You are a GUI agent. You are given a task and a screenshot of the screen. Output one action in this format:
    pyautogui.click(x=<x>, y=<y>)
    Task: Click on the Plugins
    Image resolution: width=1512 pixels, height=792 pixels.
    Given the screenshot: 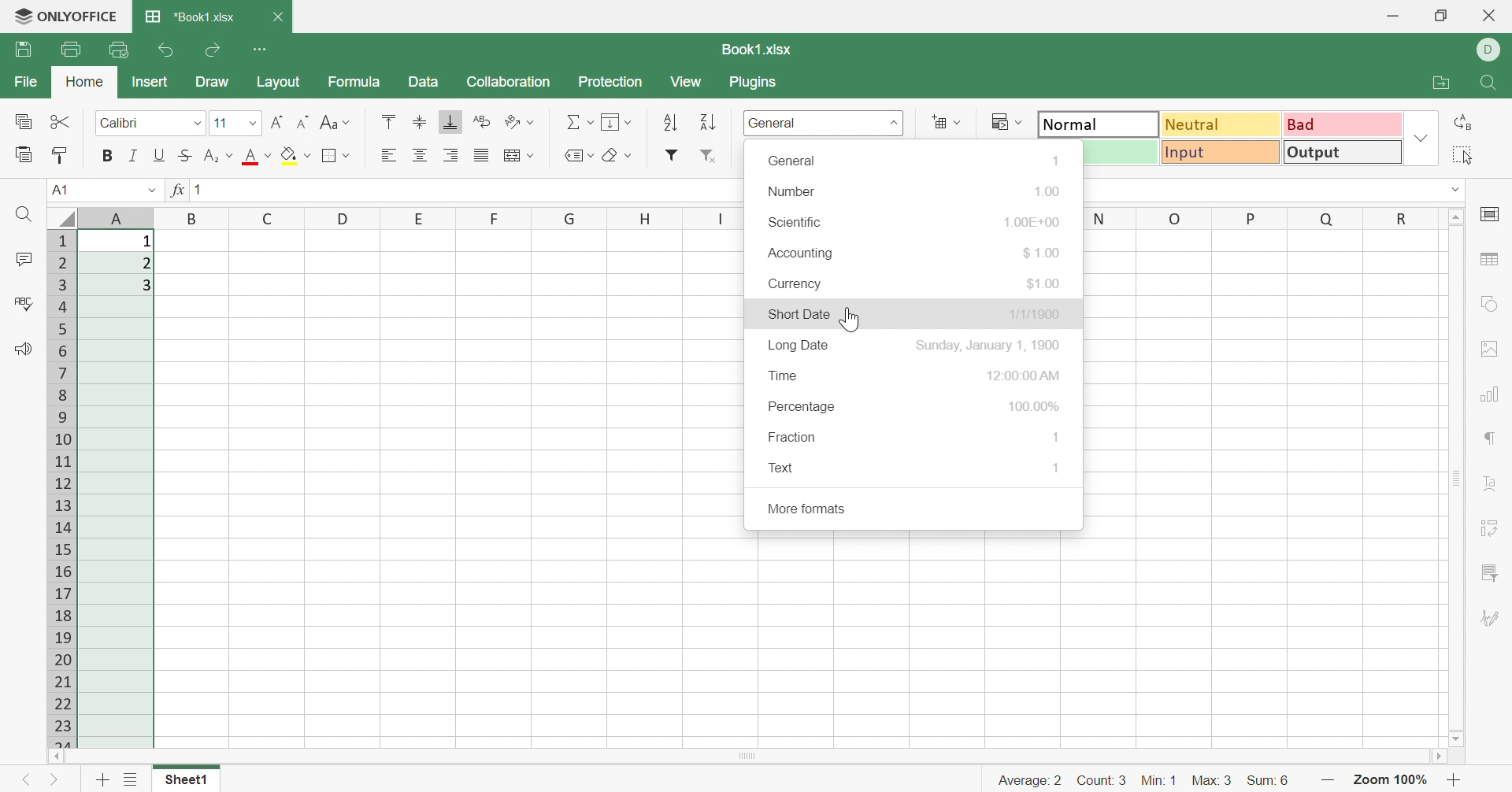 What is the action you would take?
    pyautogui.click(x=757, y=83)
    